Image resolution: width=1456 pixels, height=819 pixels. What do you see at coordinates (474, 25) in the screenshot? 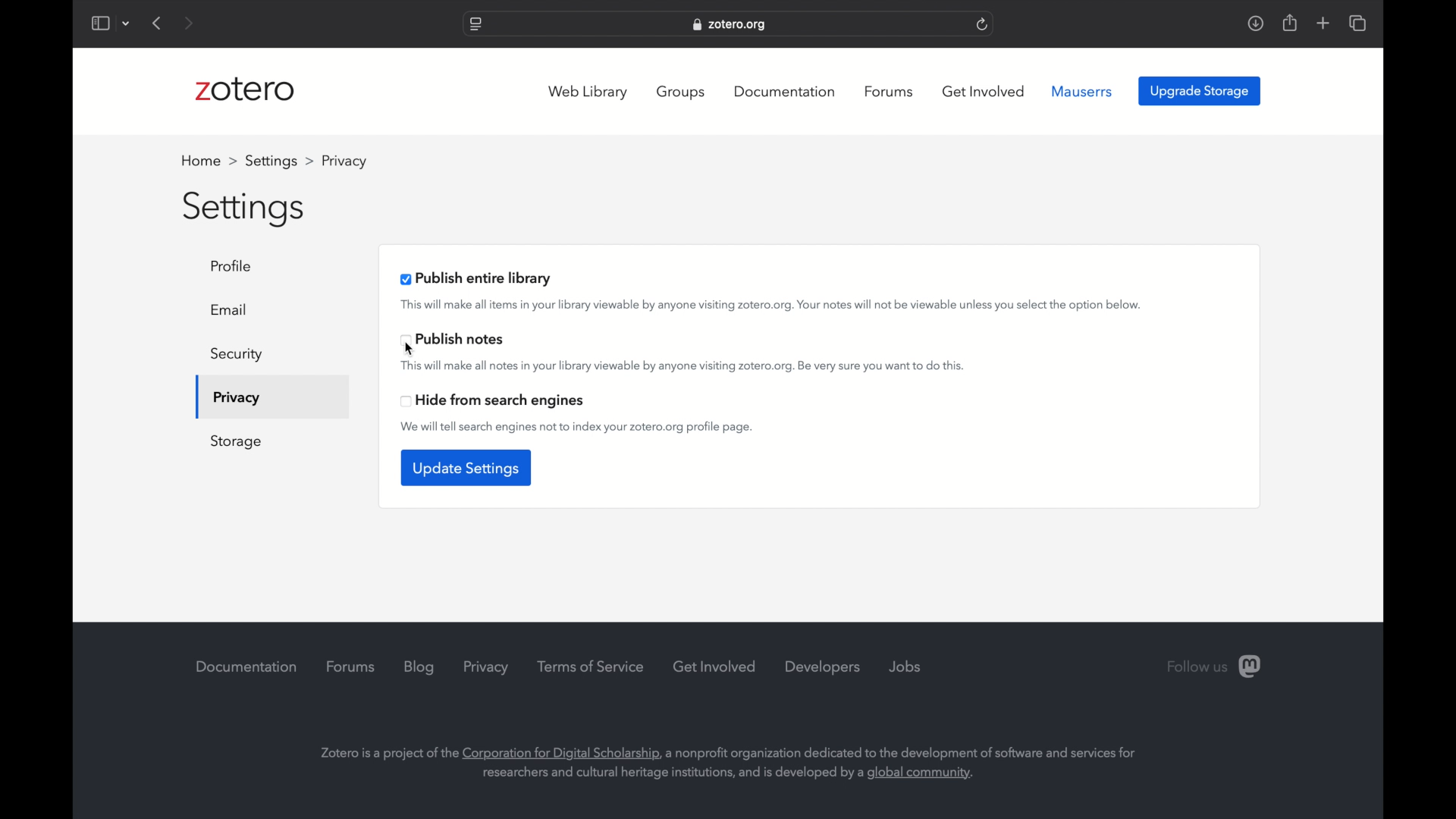
I see `website settings` at bounding box center [474, 25].